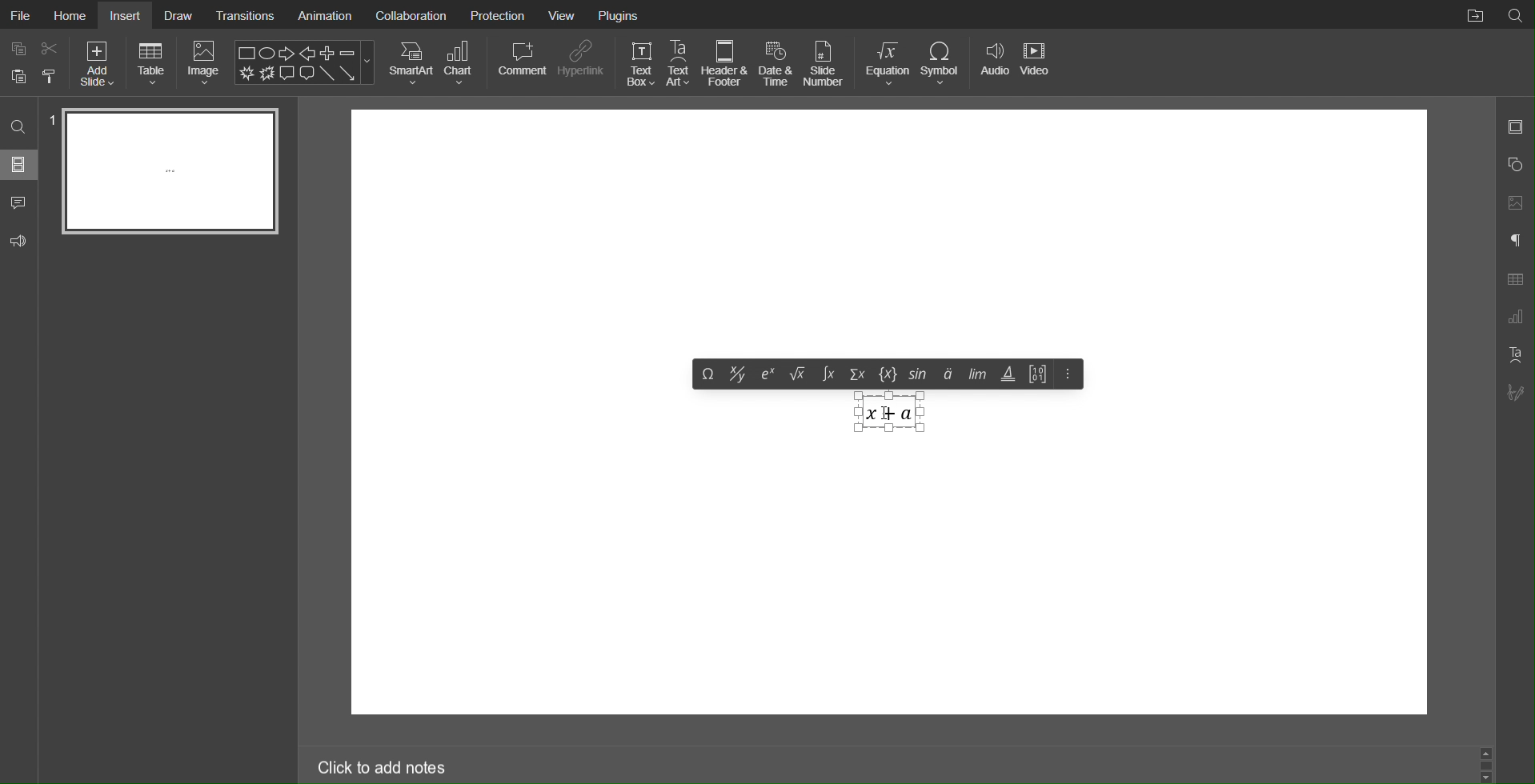  Describe the element at coordinates (324, 14) in the screenshot. I see `Animation` at that location.